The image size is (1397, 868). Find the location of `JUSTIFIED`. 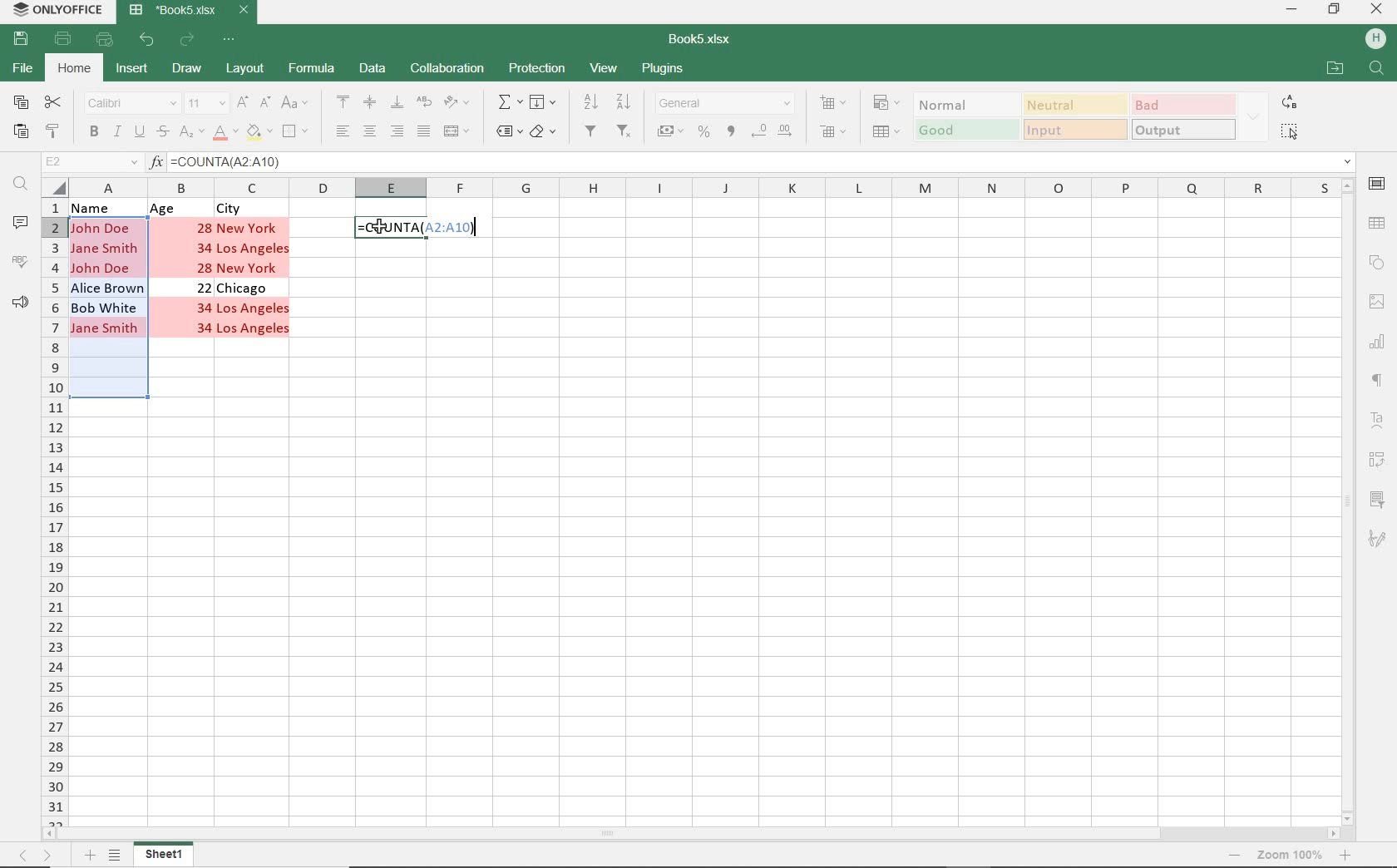

JUSTIFIED is located at coordinates (423, 132).